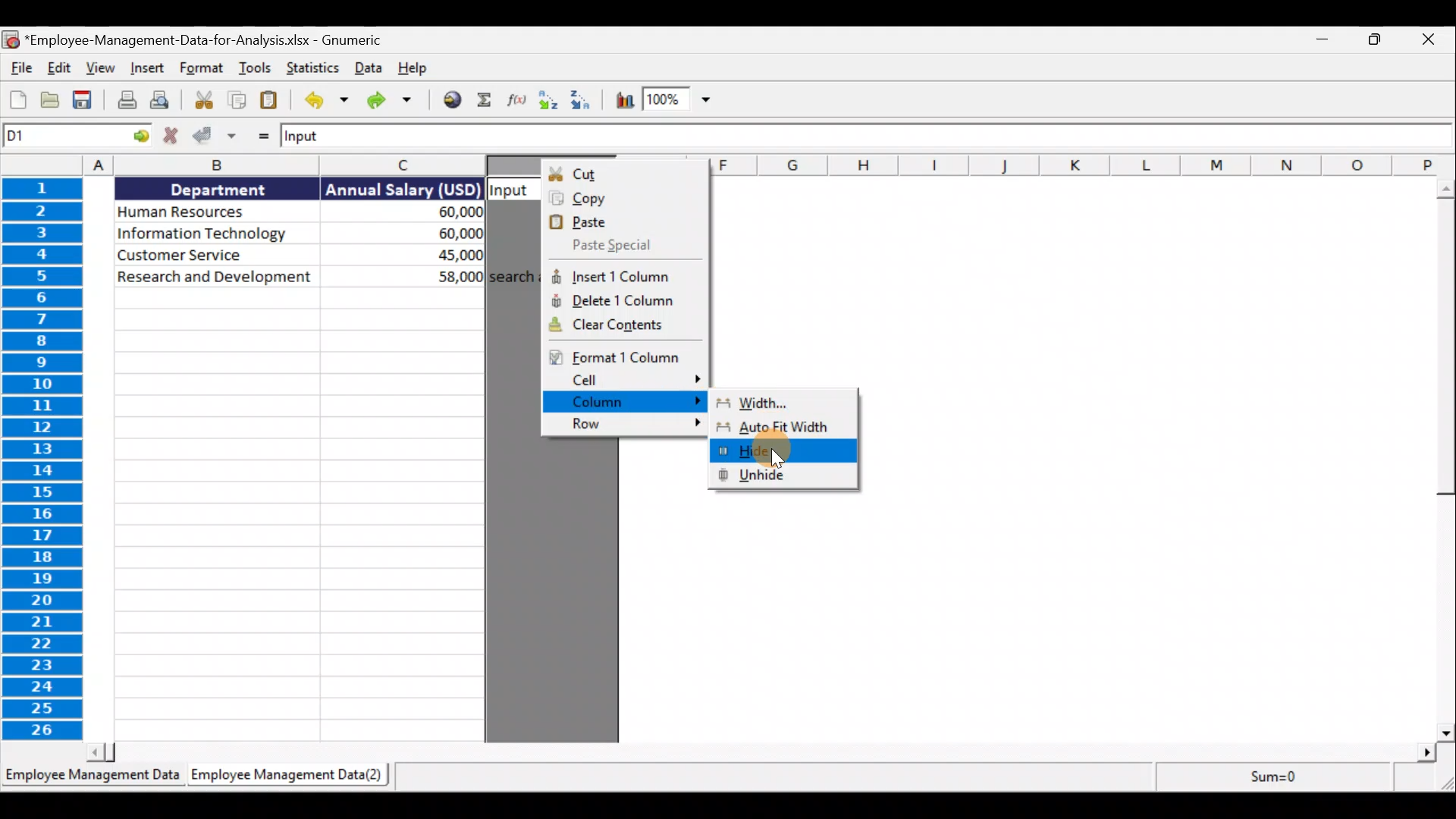 Image resolution: width=1456 pixels, height=819 pixels. I want to click on Scroll bar, so click(1446, 460).